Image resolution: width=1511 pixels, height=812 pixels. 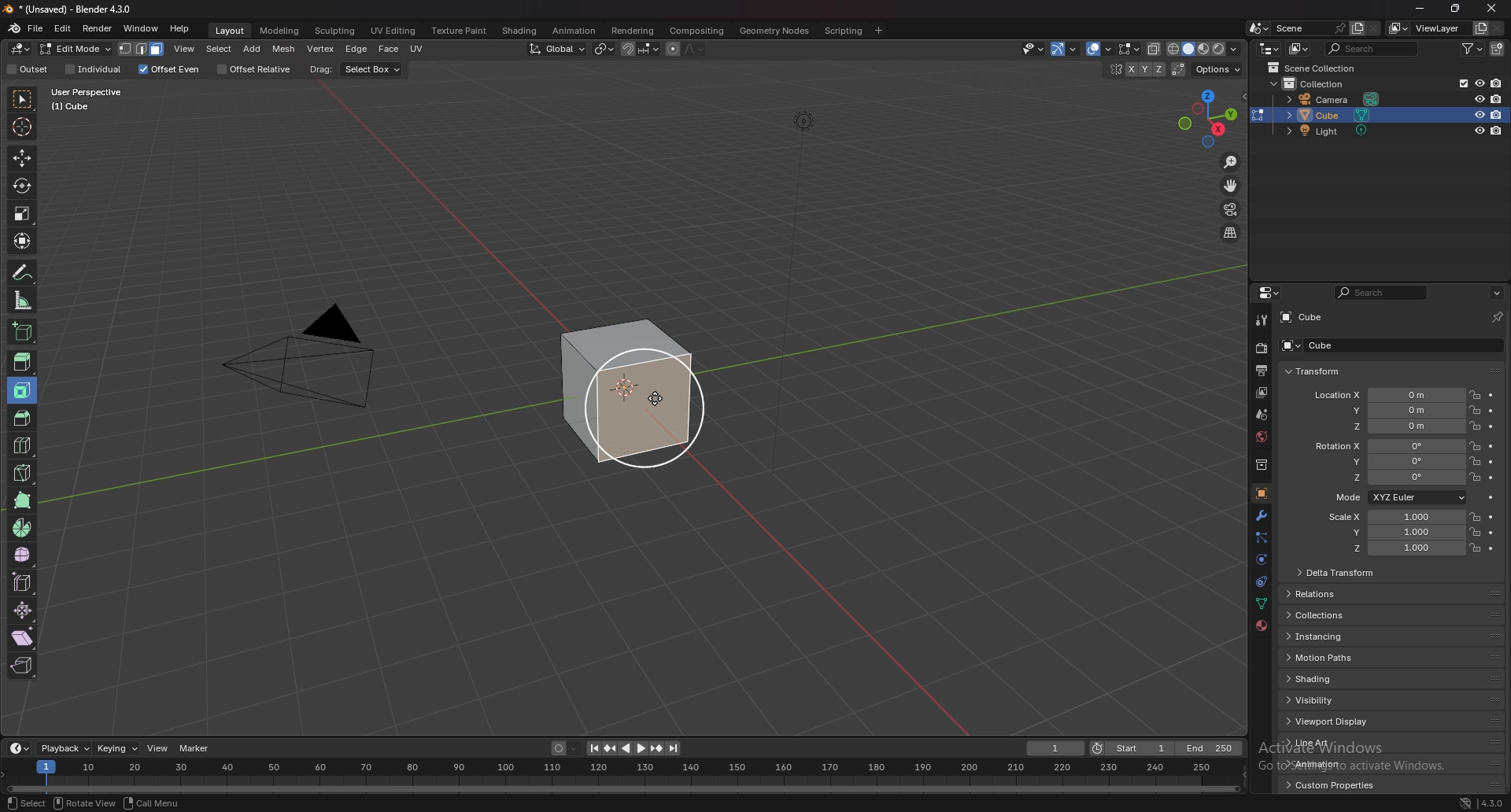 What do you see at coordinates (1474, 516) in the screenshot?
I see `lock` at bounding box center [1474, 516].